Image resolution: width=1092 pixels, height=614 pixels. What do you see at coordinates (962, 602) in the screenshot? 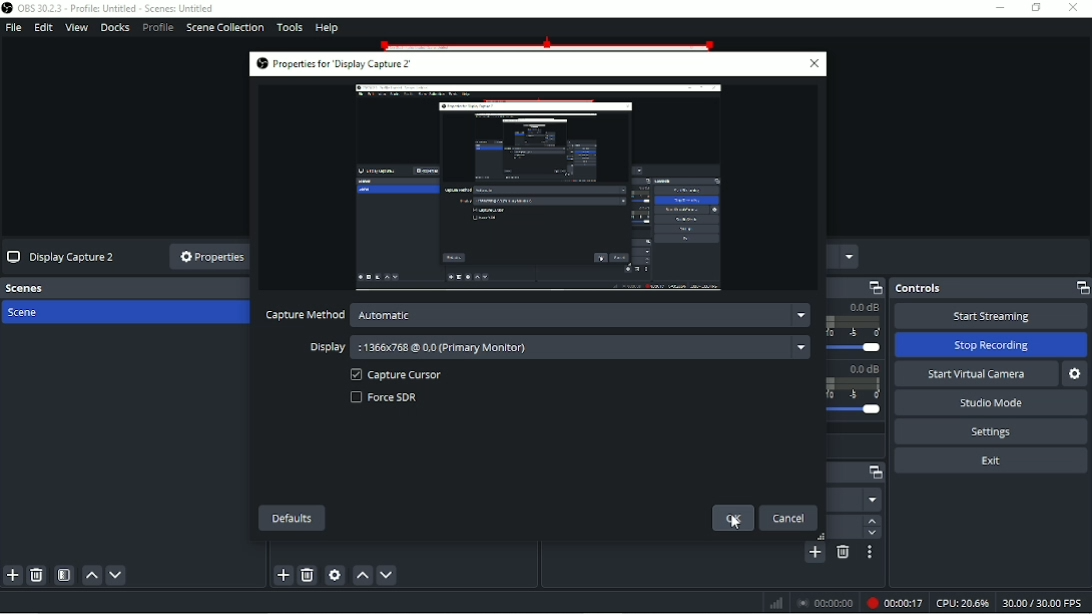
I see `CPU 20.6%` at bounding box center [962, 602].